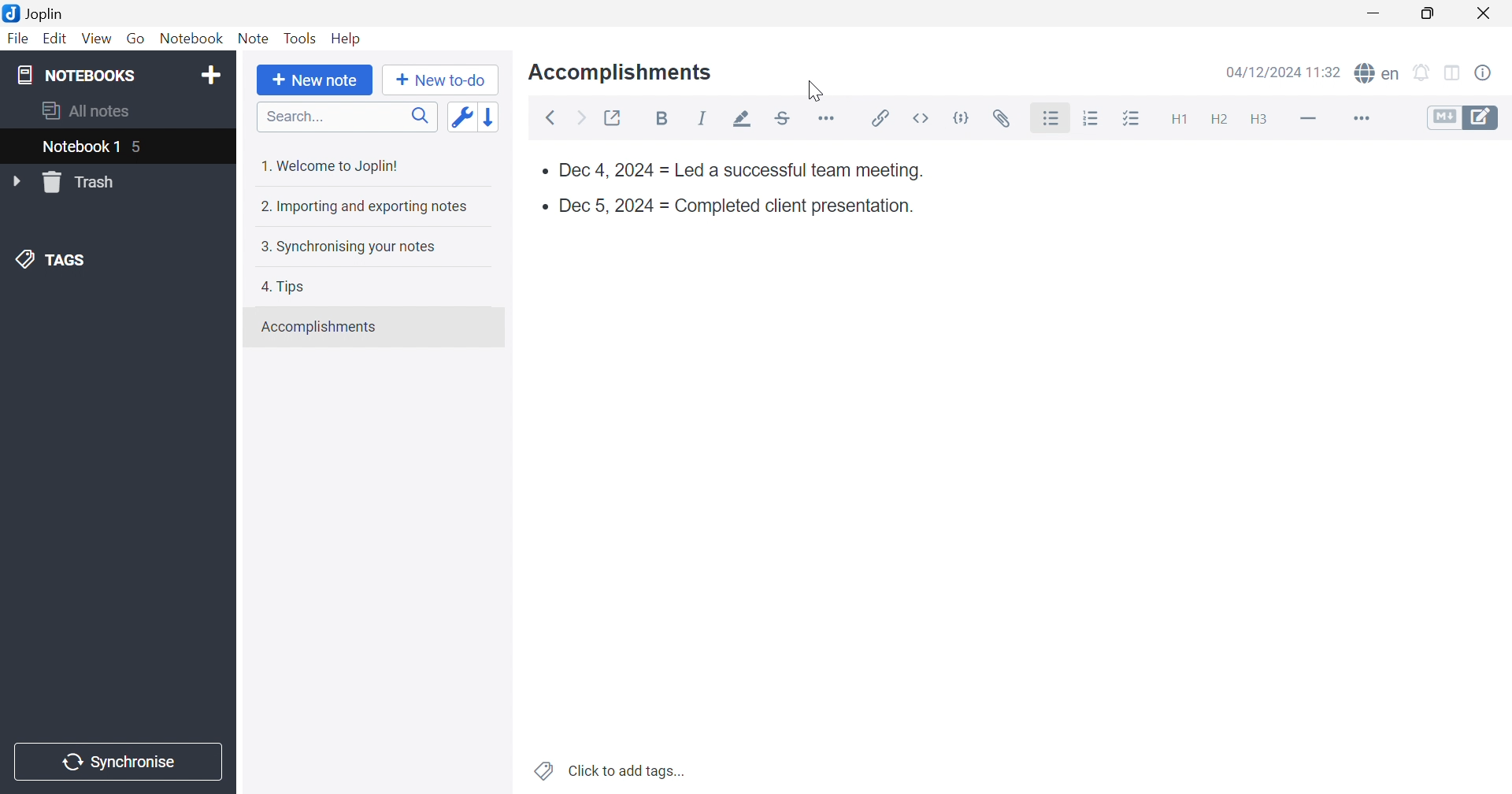 The image size is (1512, 794). I want to click on Note properties, so click(1486, 74).